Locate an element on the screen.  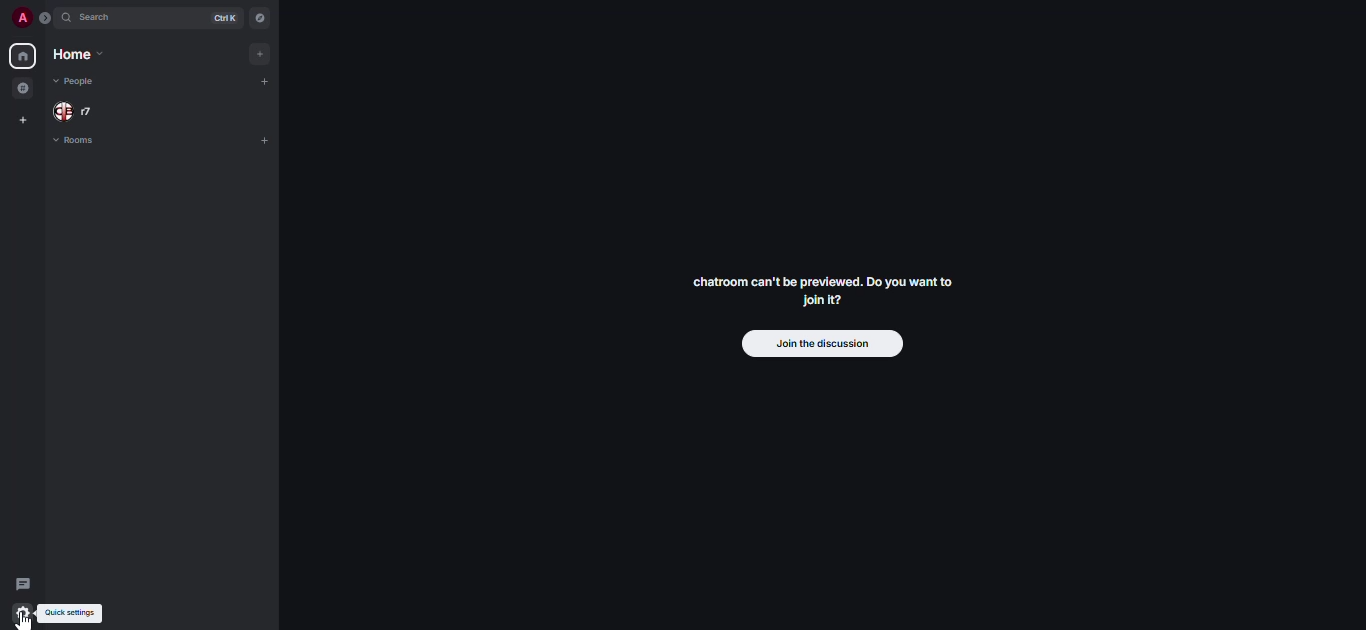
grouped room in space is located at coordinates (23, 88).